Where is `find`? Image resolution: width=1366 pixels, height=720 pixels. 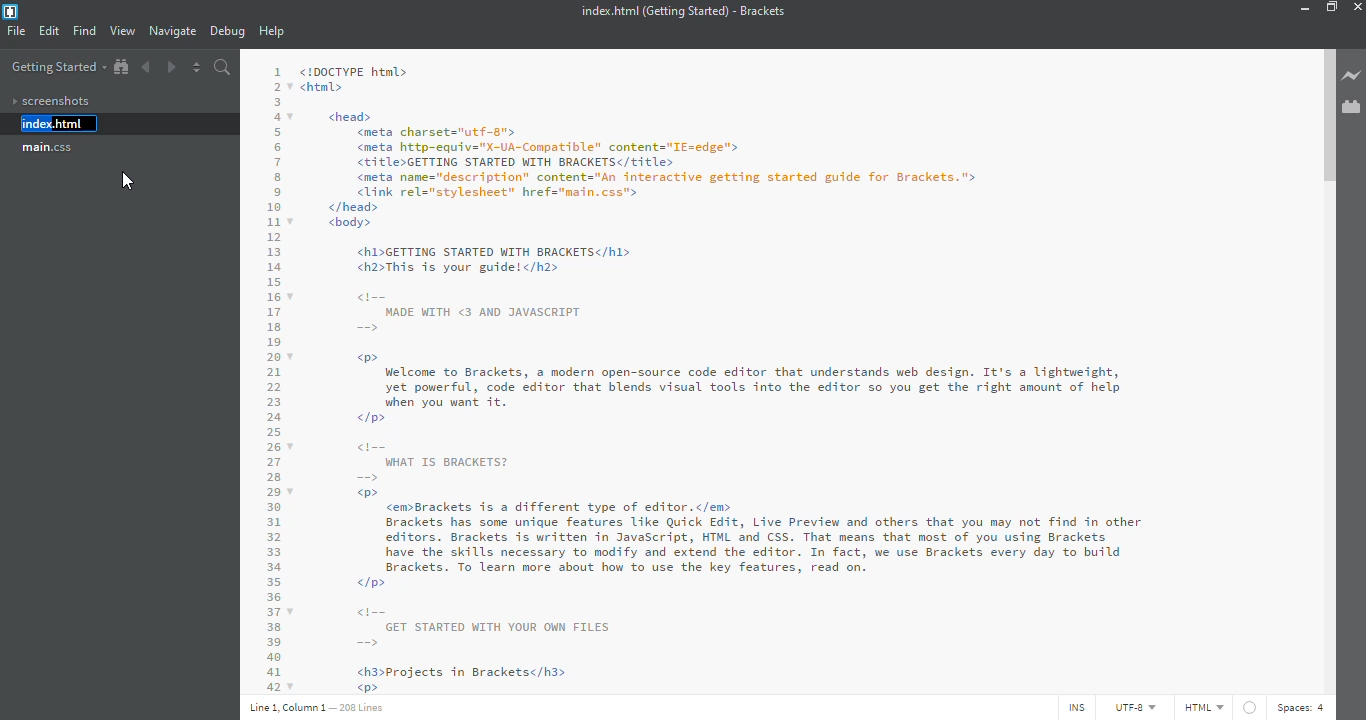
find is located at coordinates (85, 30).